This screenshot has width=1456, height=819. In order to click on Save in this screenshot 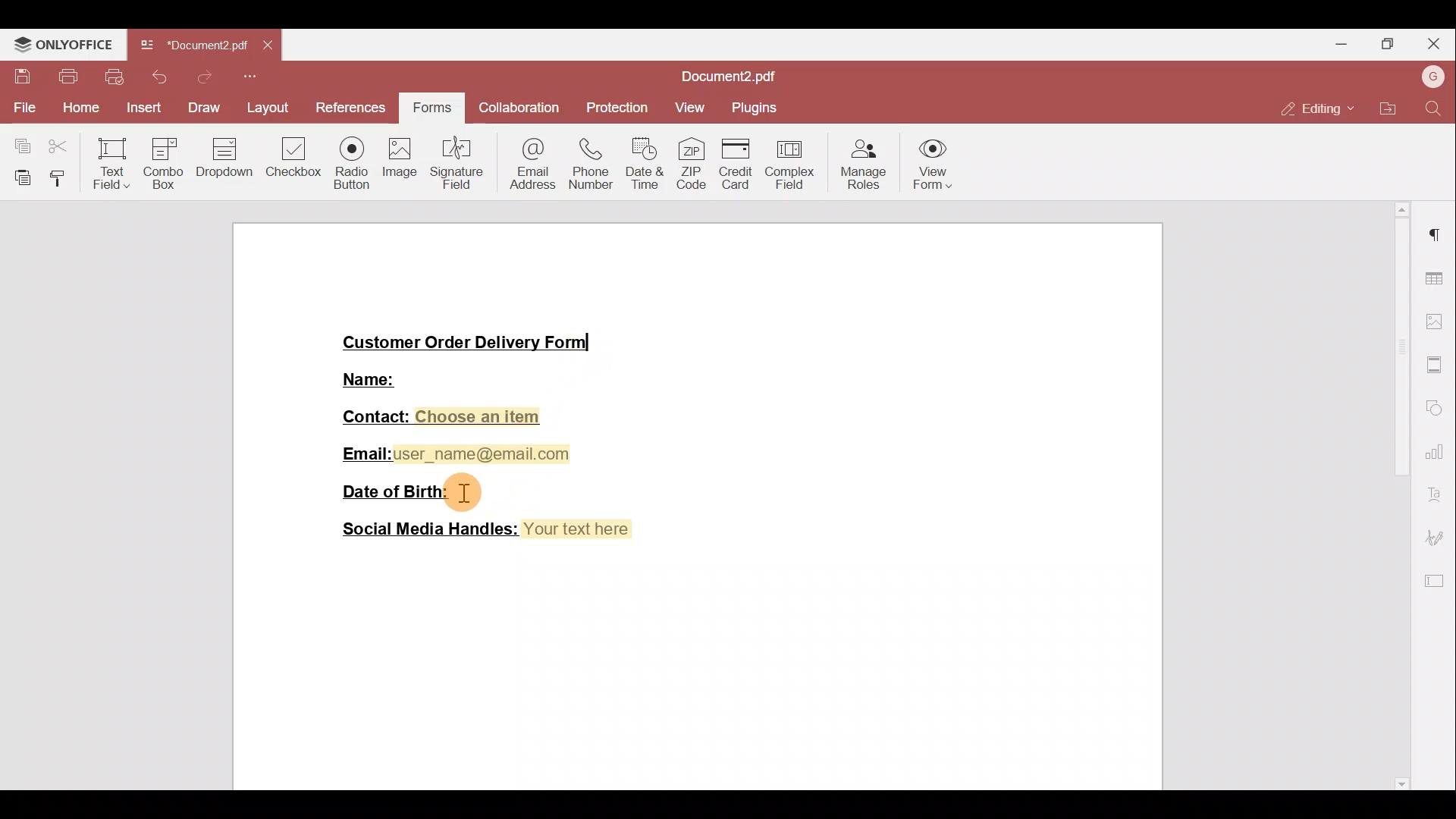, I will do `click(18, 74)`.